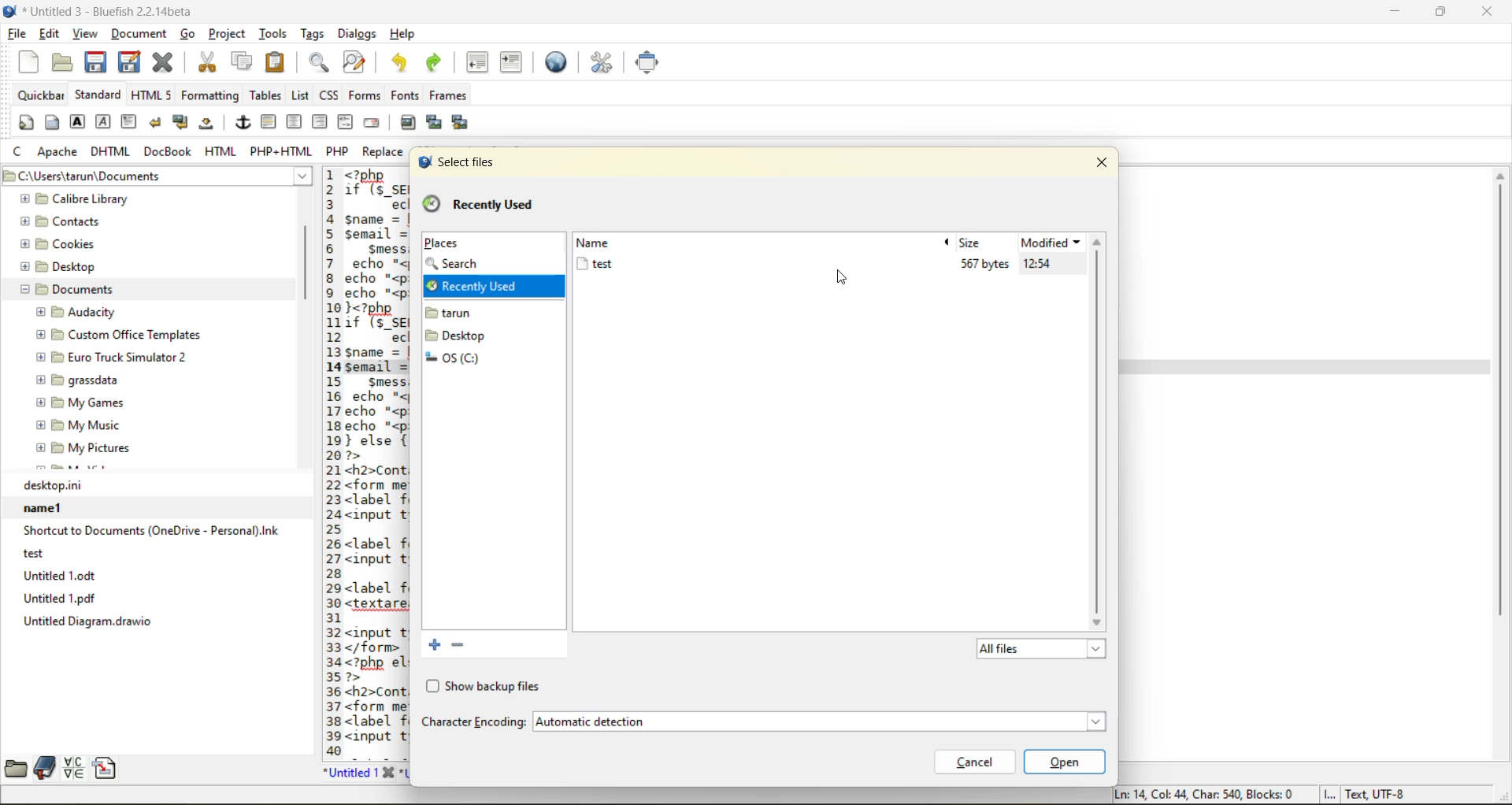 The height and width of the screenshot is (805, 1512). Describe the element at coordinates (103, 122) in the screenshot. I see `emphasis` at that location.